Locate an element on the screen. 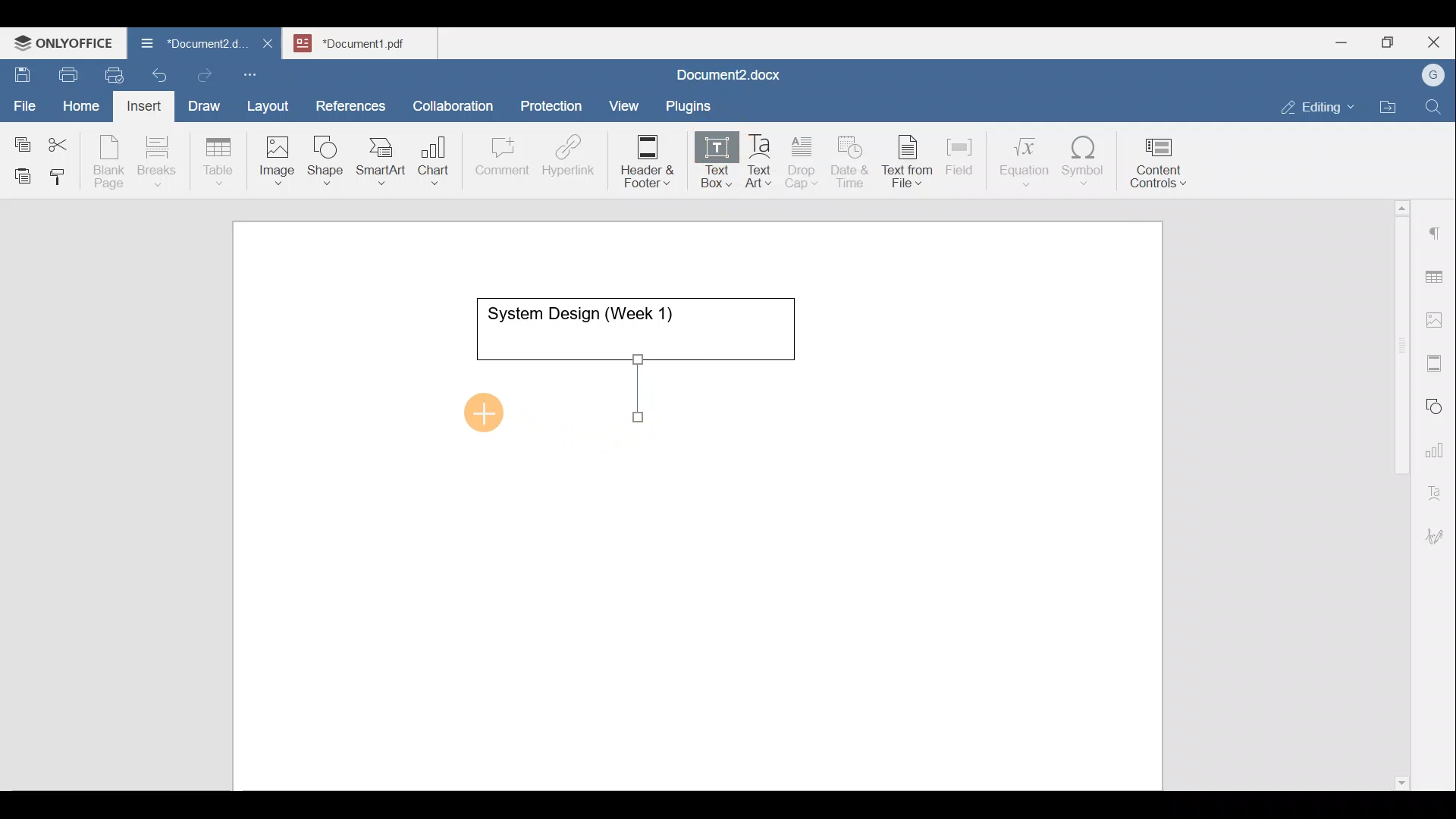 The width and height of the screenshot is (1456, 819). Document name is located at coordinates (185, 45).